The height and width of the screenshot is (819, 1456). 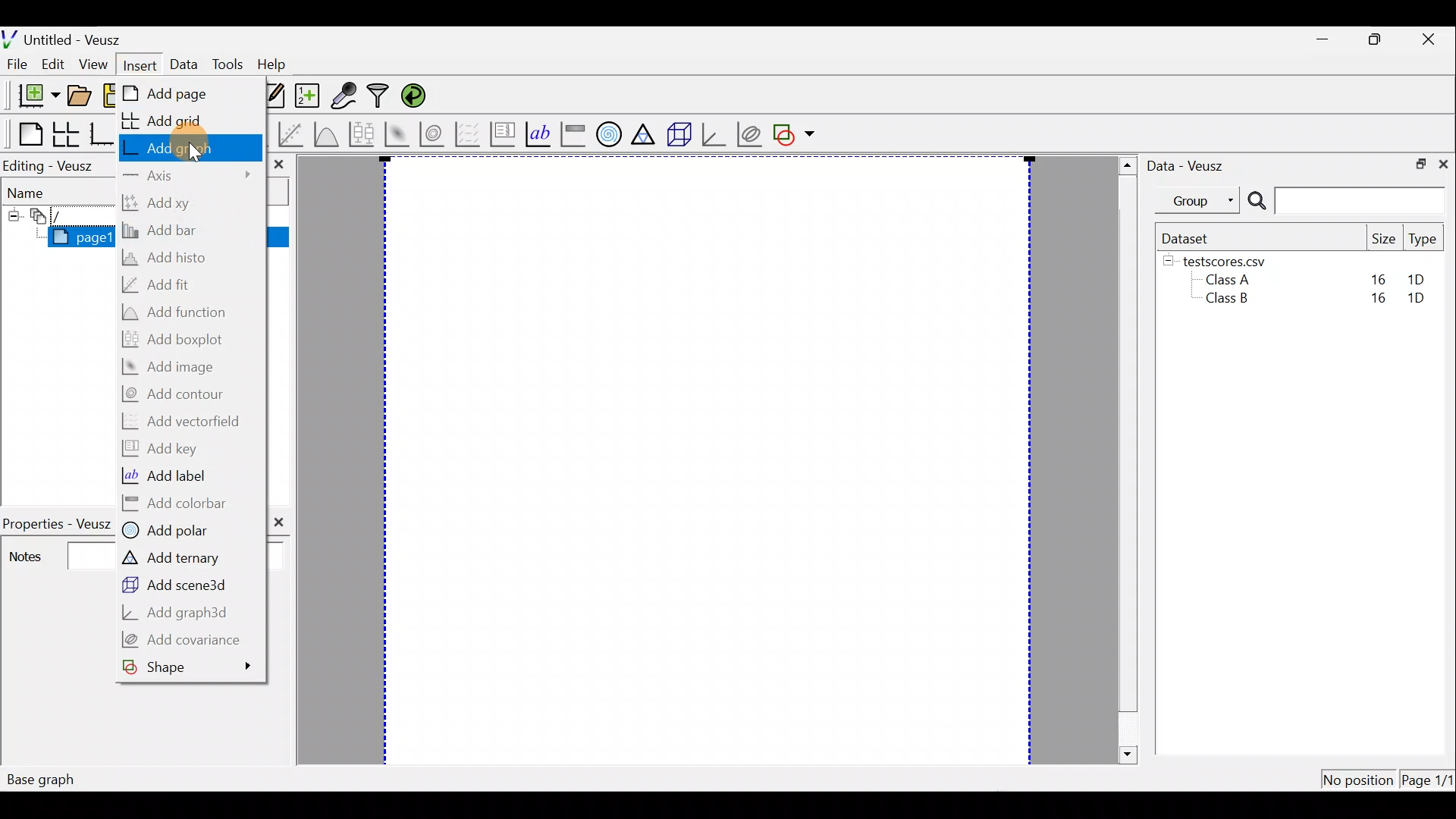 I want to click on Add function, so click(x=179, y=312).